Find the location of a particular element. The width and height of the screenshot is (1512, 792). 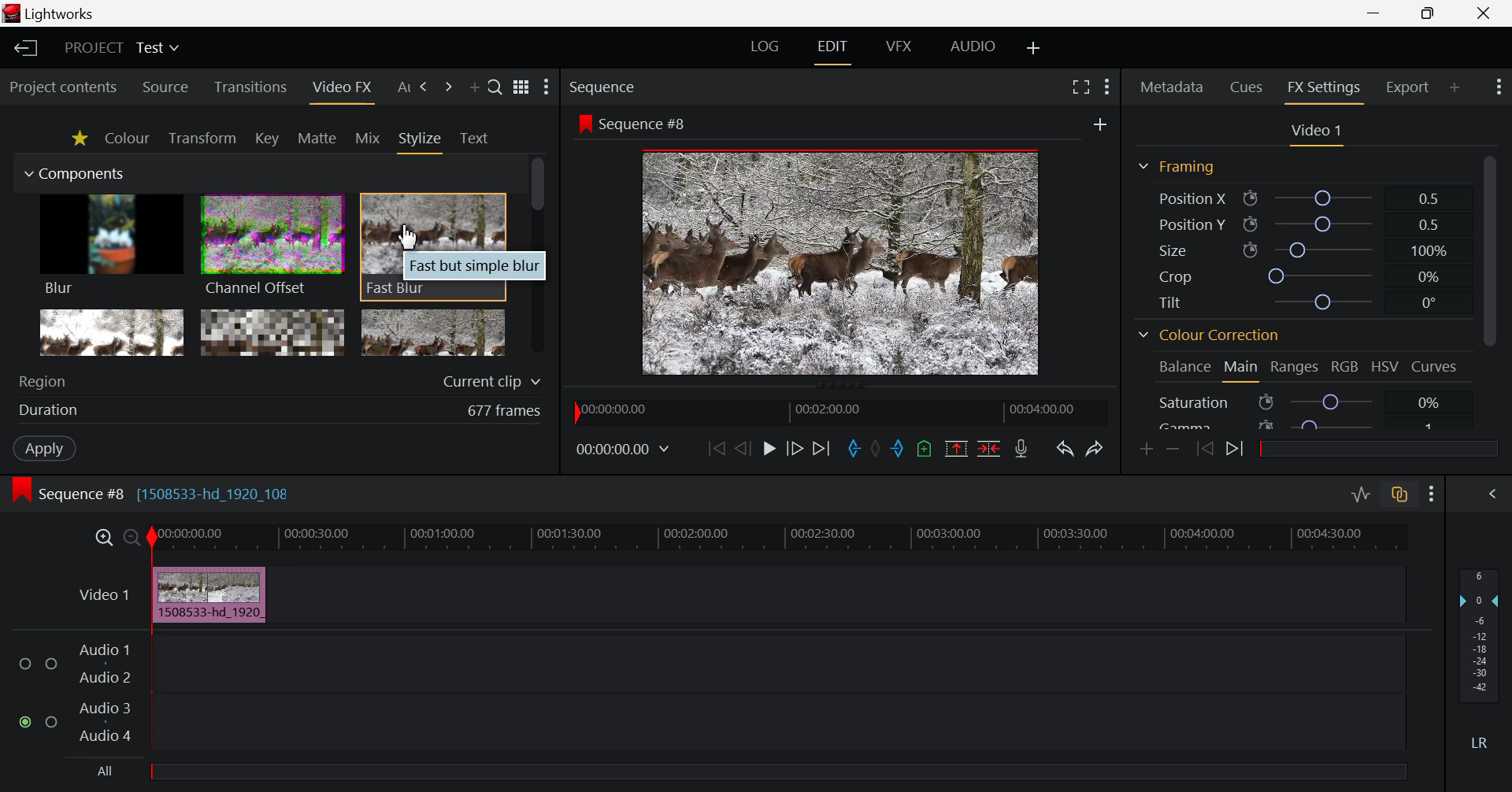

Scroll Bar is located at coordinates (540, 310).